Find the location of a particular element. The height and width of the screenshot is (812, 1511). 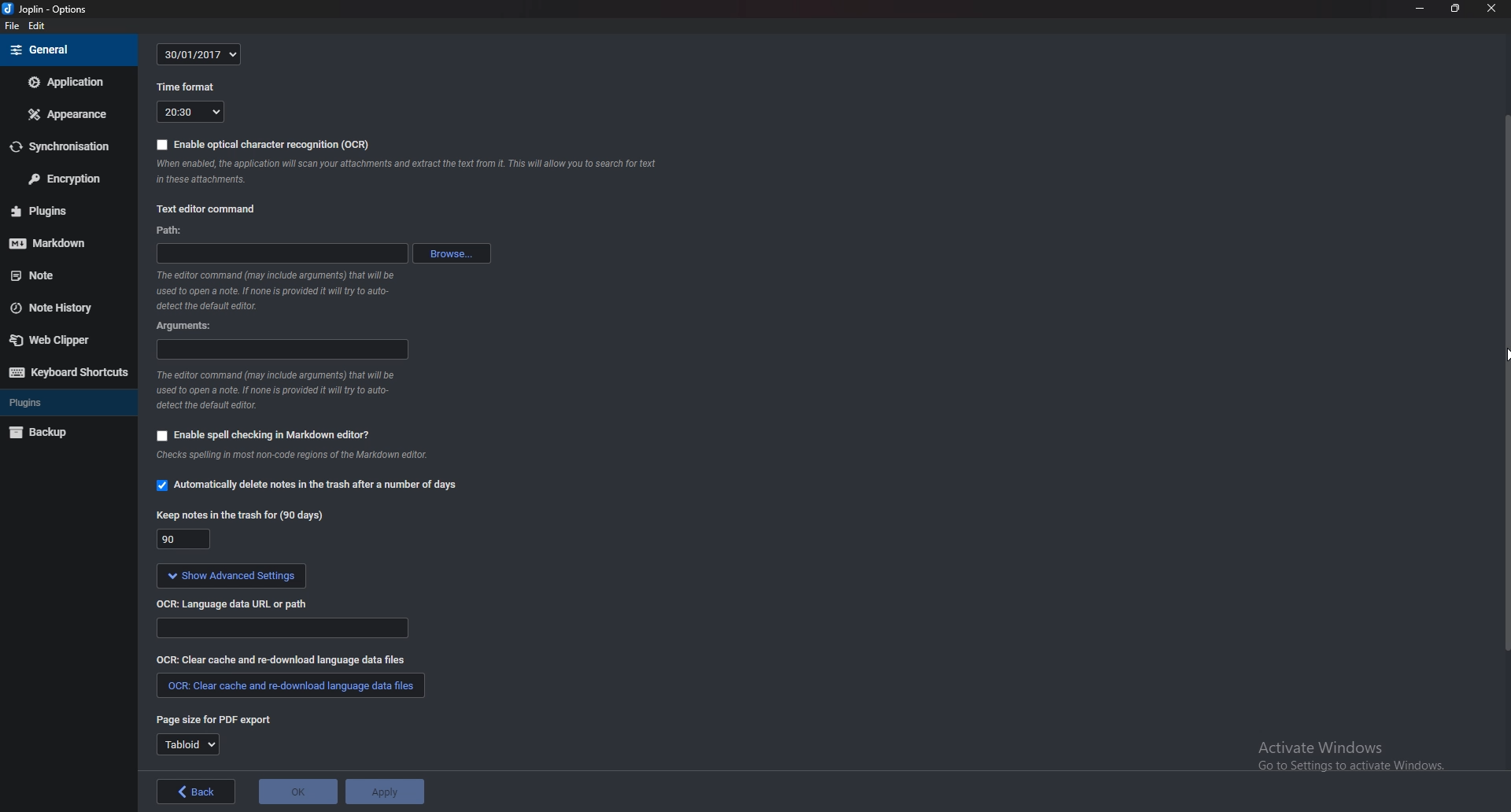

file is located at coordinates (13, 26).